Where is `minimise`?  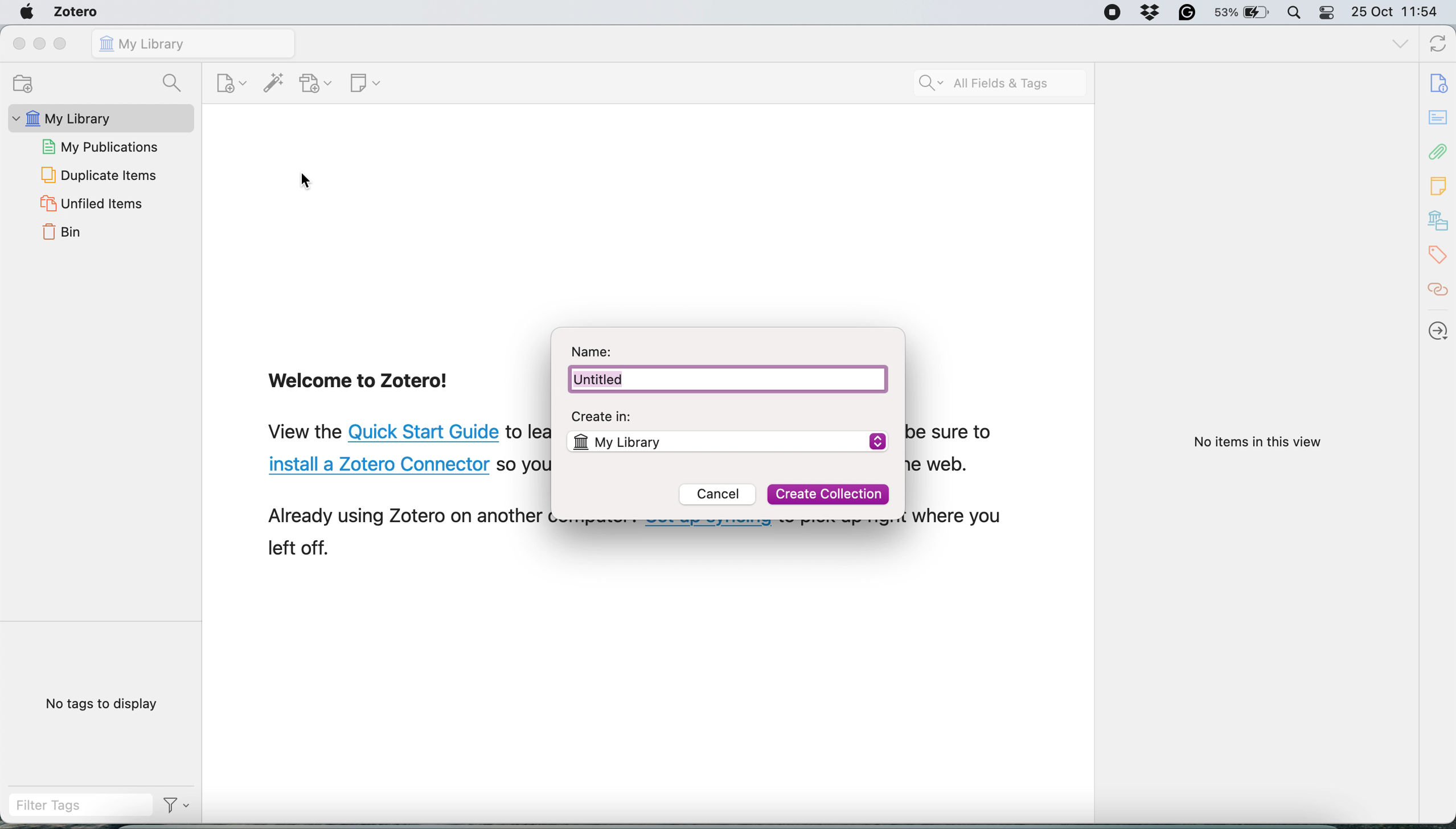
minimise is located at coordinates (41, 44).